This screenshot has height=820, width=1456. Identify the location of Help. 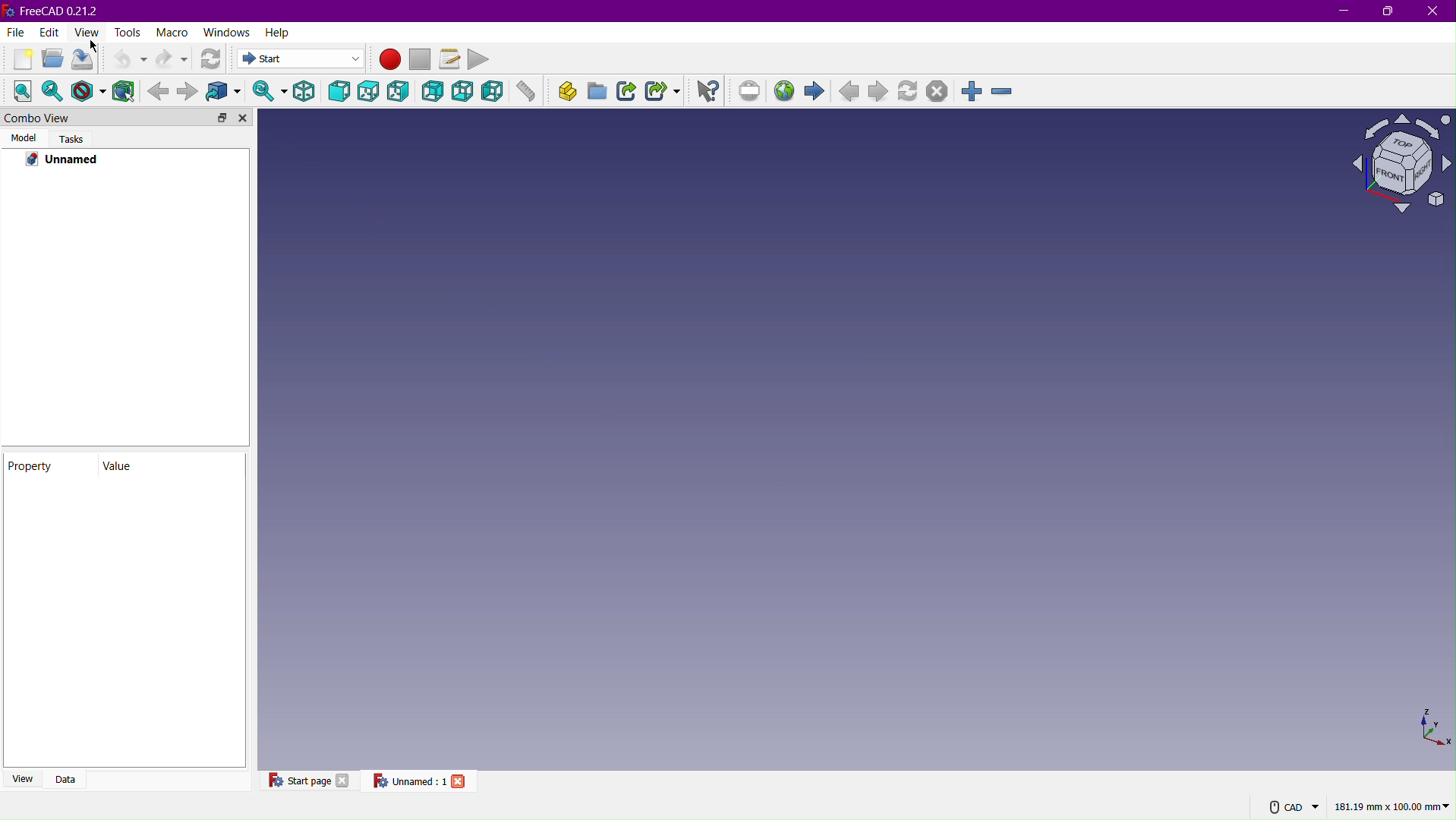
(281, 32).